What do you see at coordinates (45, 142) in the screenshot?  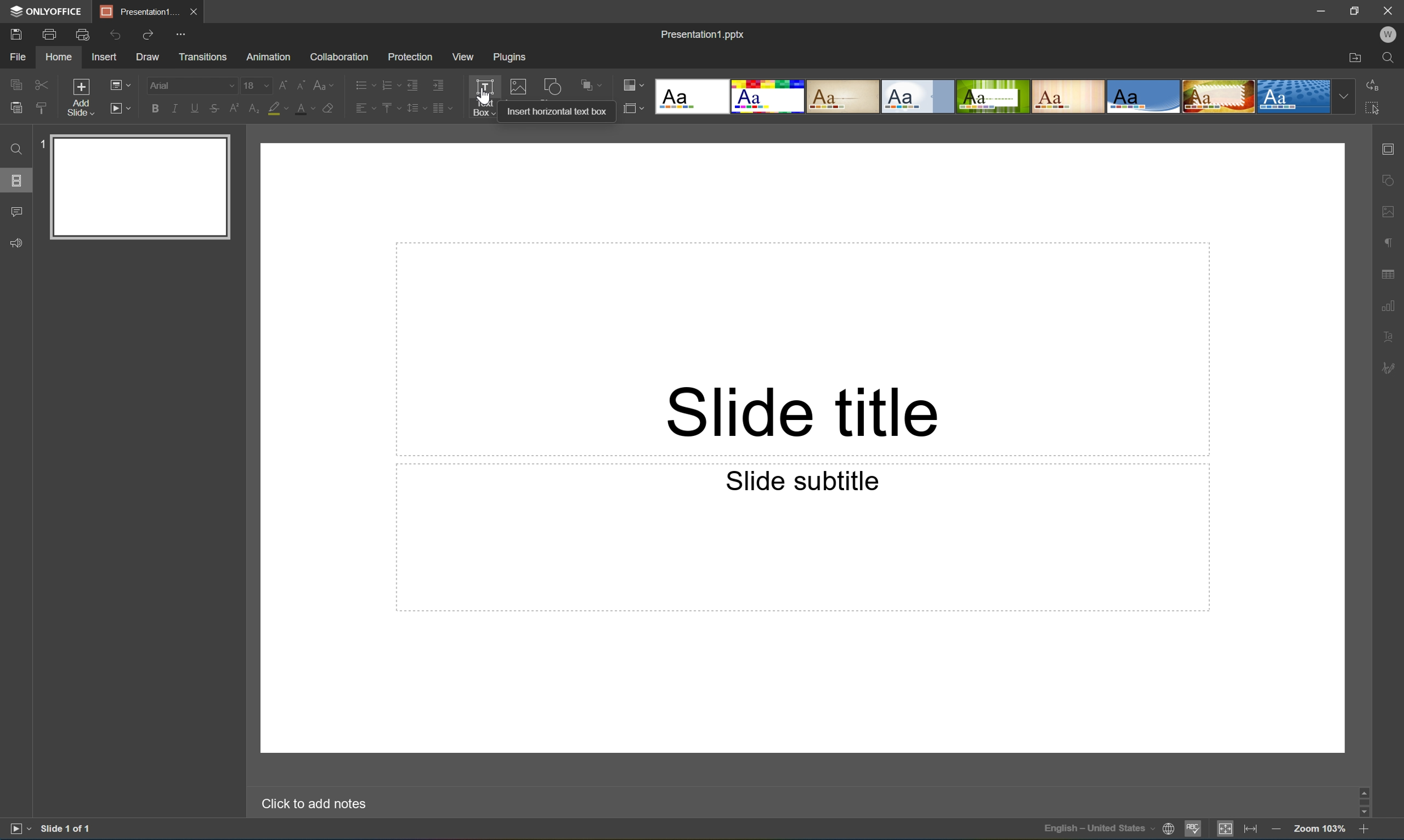 I see `1` at bounding box center [45, 142].